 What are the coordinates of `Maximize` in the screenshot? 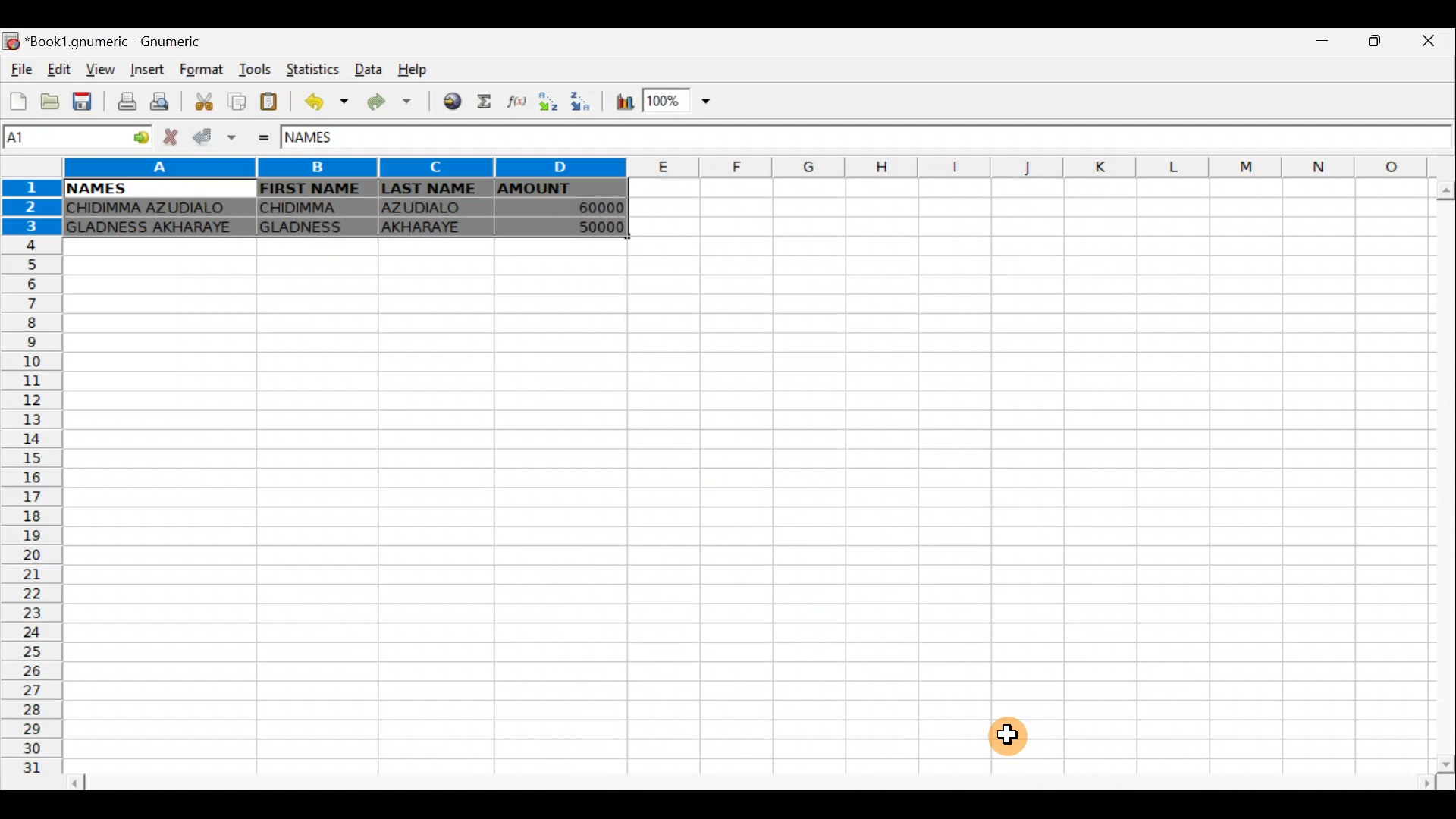 It's located at (1379, 41).